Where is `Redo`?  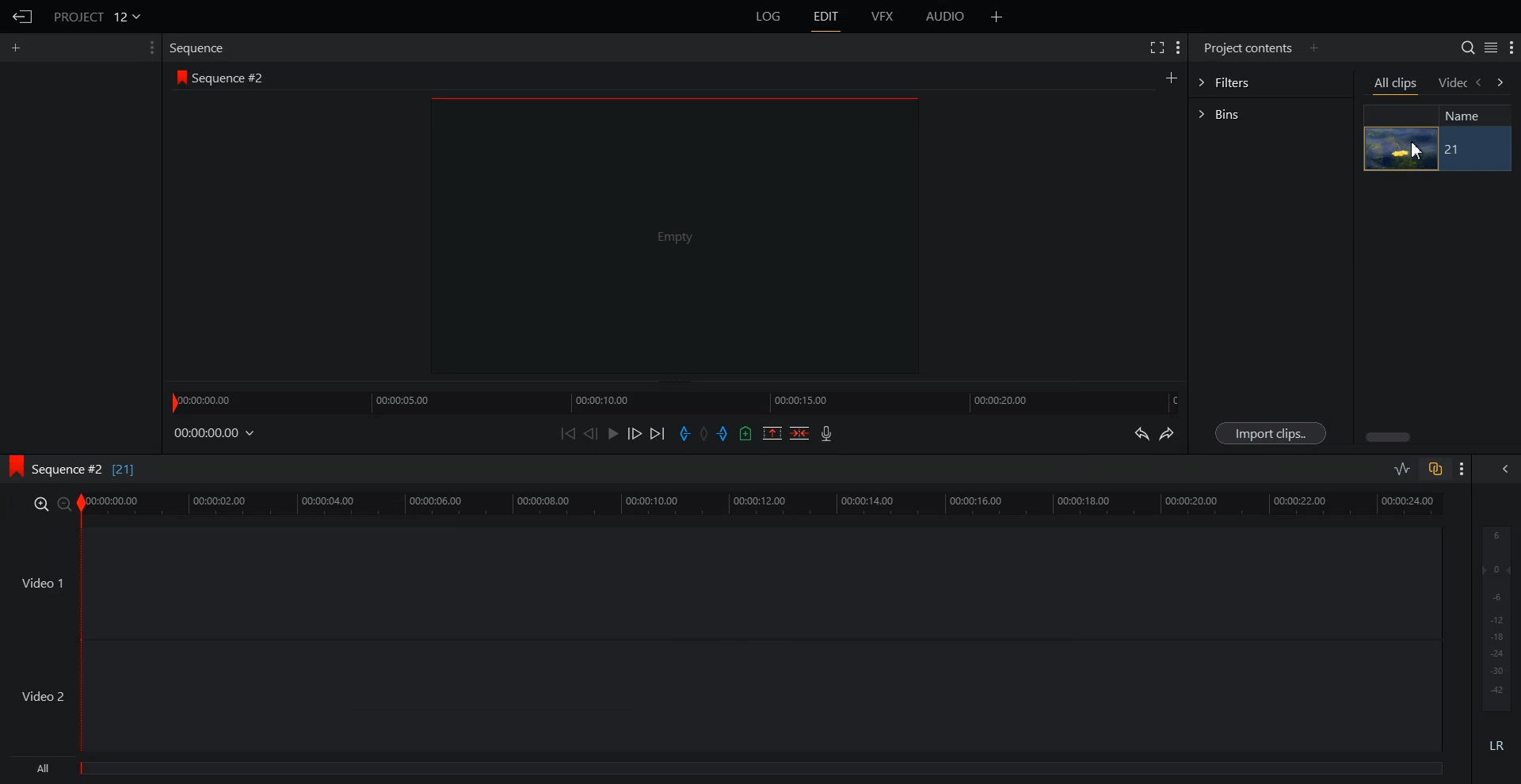 Redo is located at coordinates (1169, 435).